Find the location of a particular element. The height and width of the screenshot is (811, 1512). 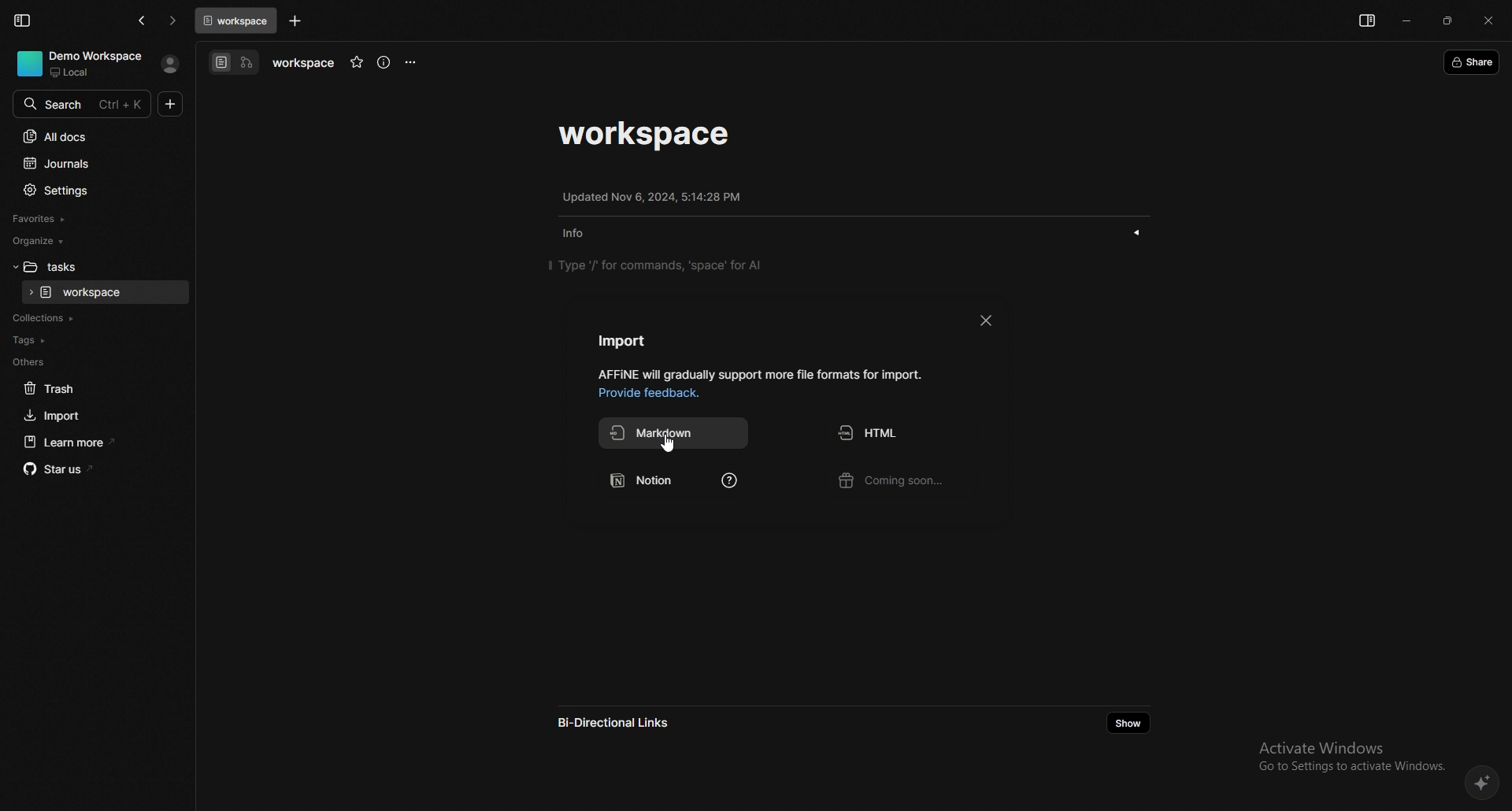

close is located at coordinates (1489, 21).